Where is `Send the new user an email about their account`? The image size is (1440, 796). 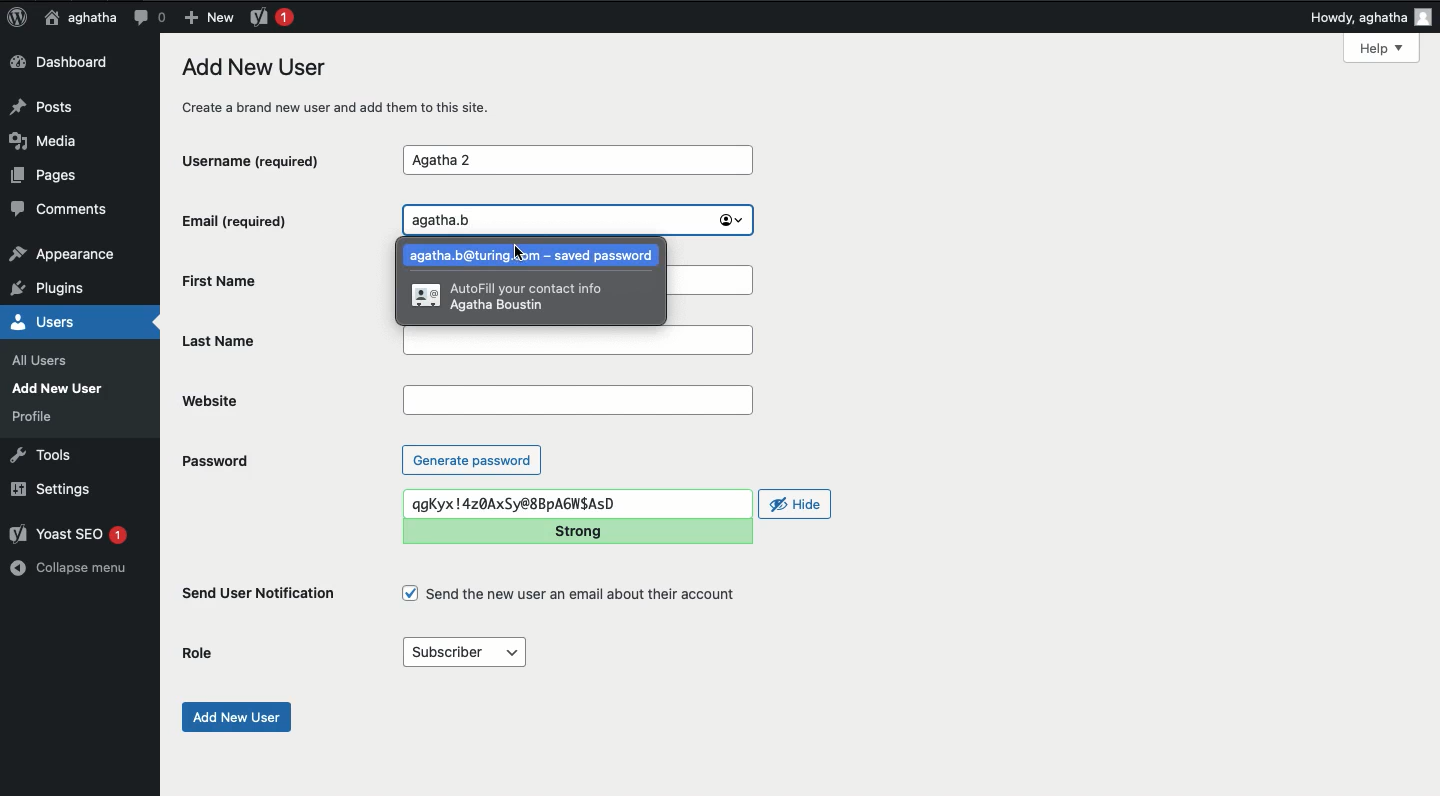 Send the new user an email about their account is located at coordinates (573, 594).